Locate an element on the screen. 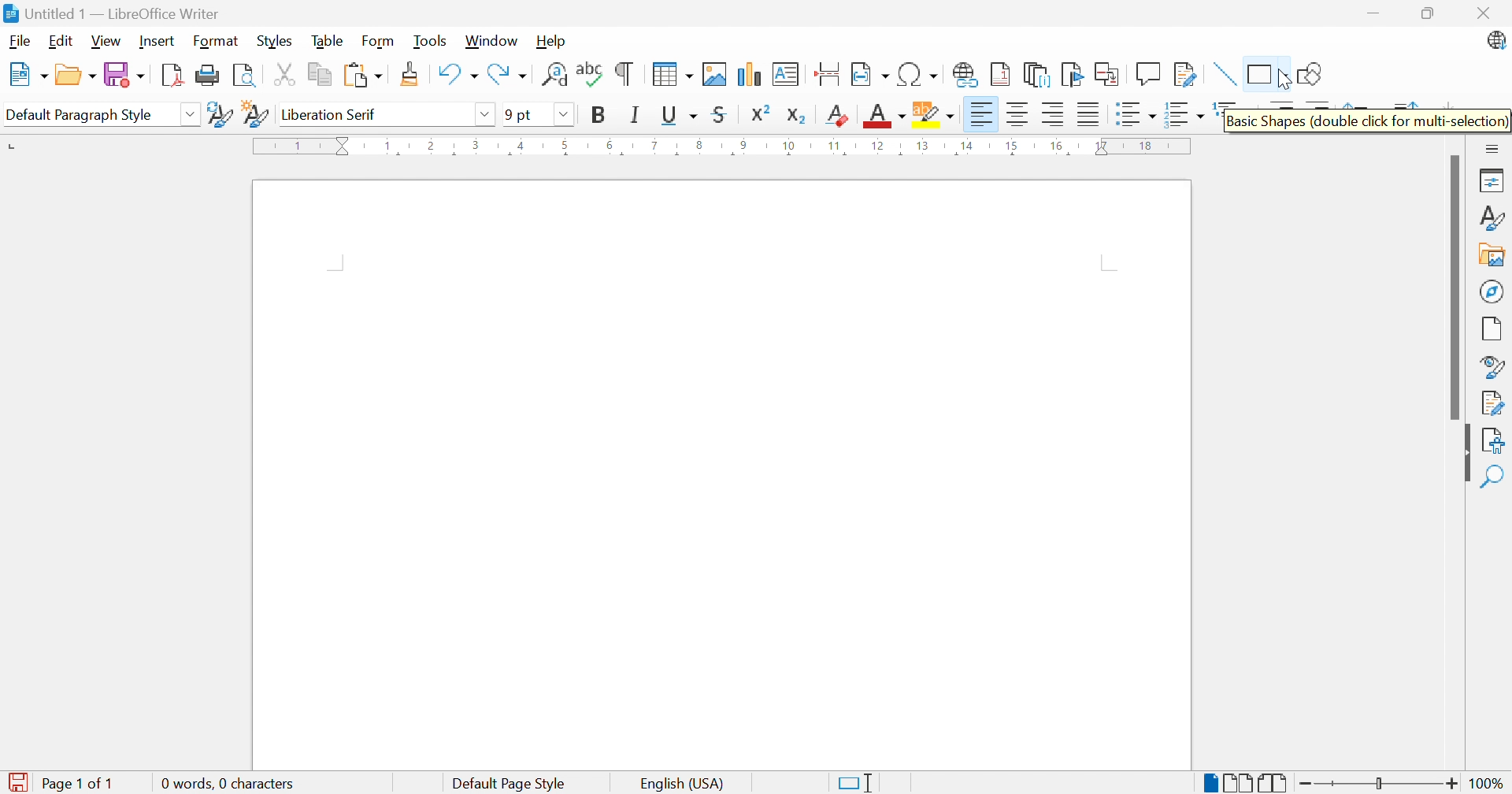 The height and width of the screenshot is (794, 1512). Styles is located at coordinates (1494, 219).